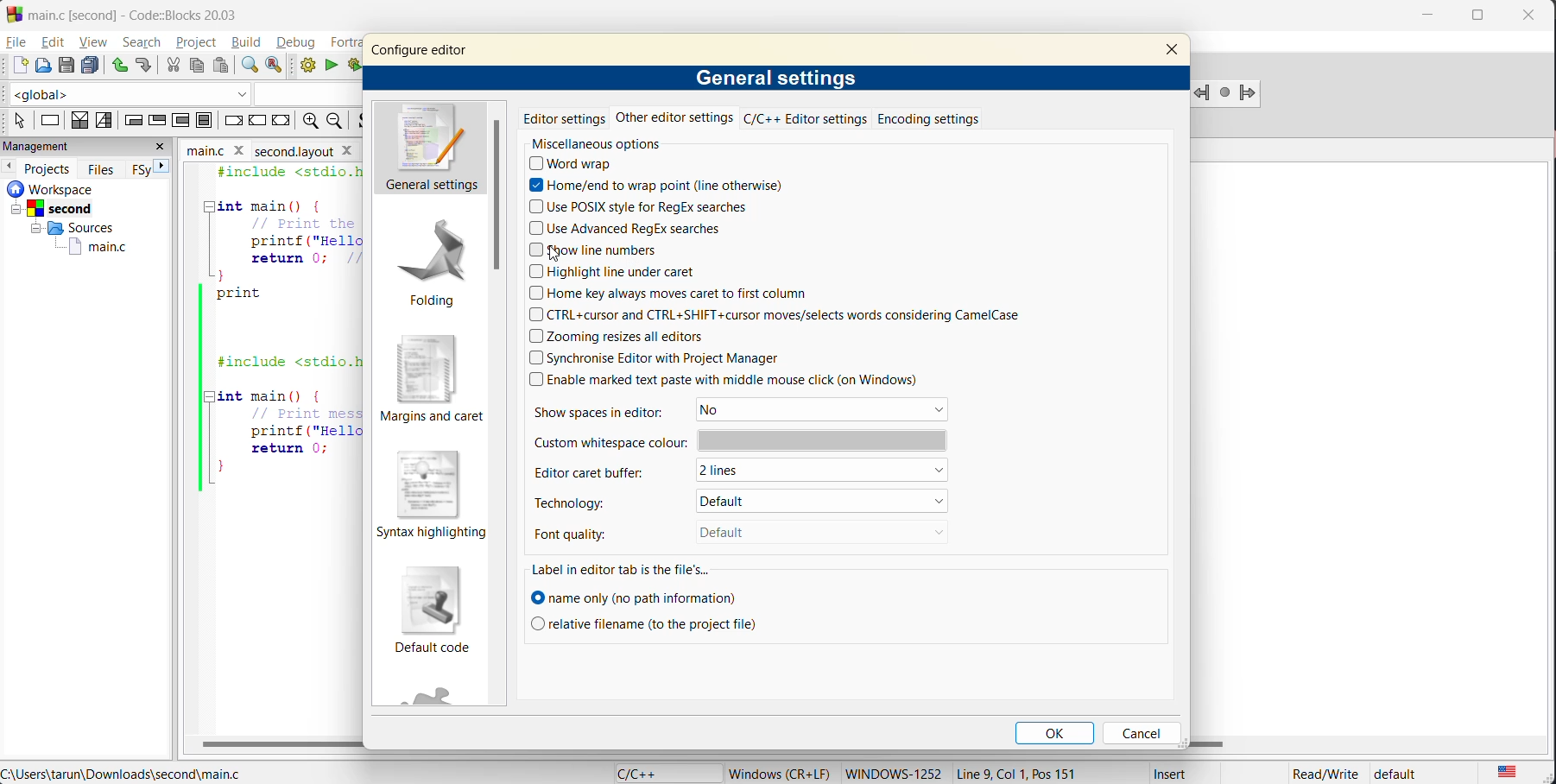  Describe the element at coordinates (52, 167) in the screenshot. I see `projects` at that location.